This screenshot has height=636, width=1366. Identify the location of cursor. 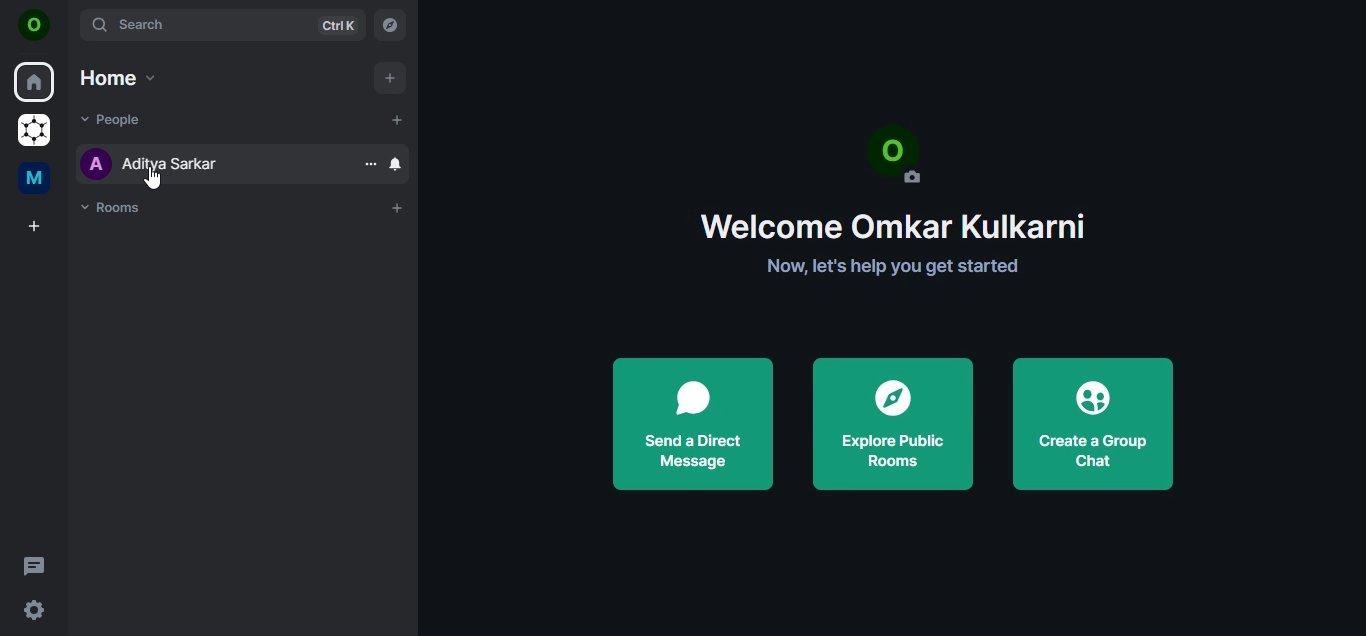
(152, 179).